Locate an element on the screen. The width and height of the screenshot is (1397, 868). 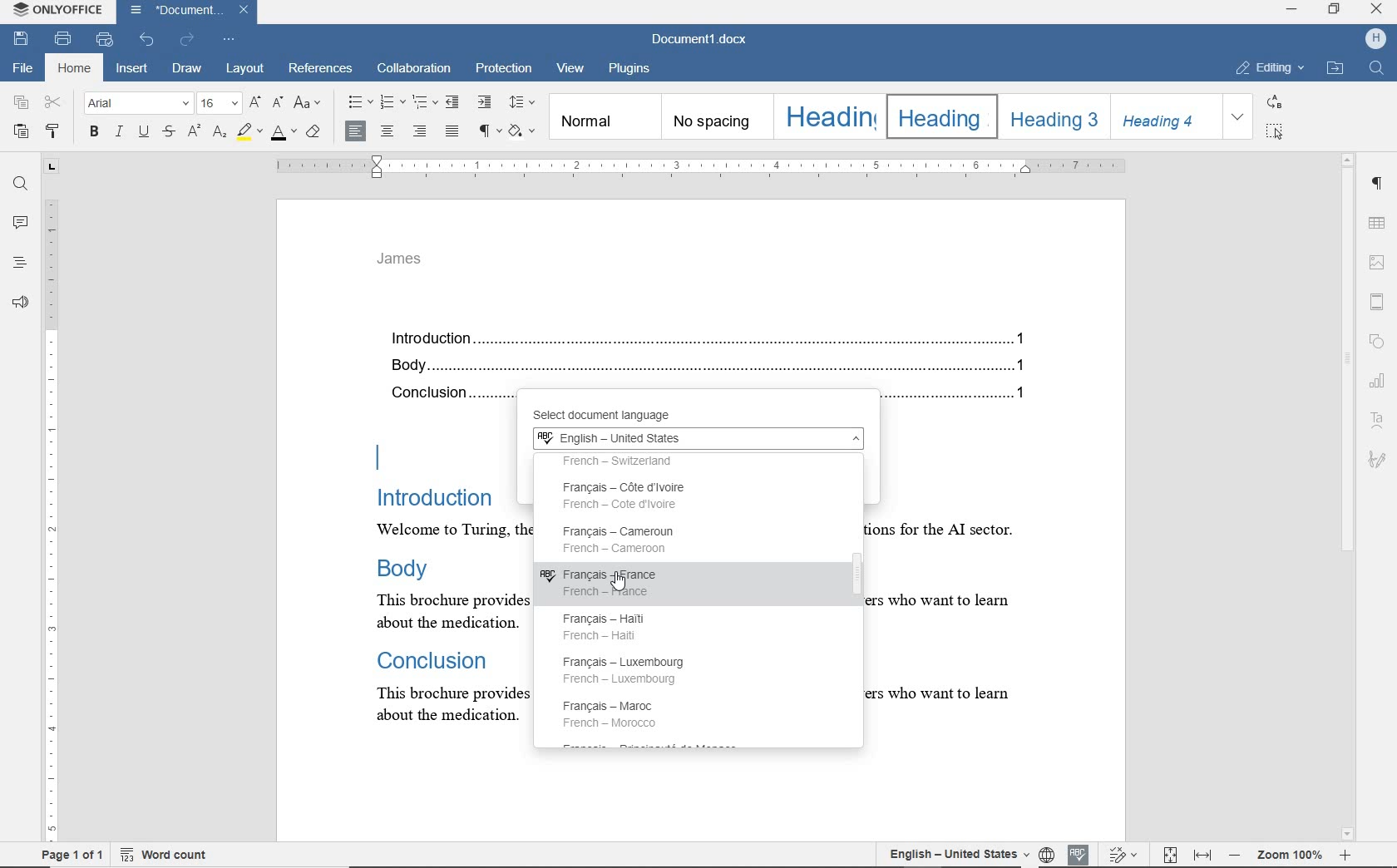
subscript is located at coordinates (219, 132).